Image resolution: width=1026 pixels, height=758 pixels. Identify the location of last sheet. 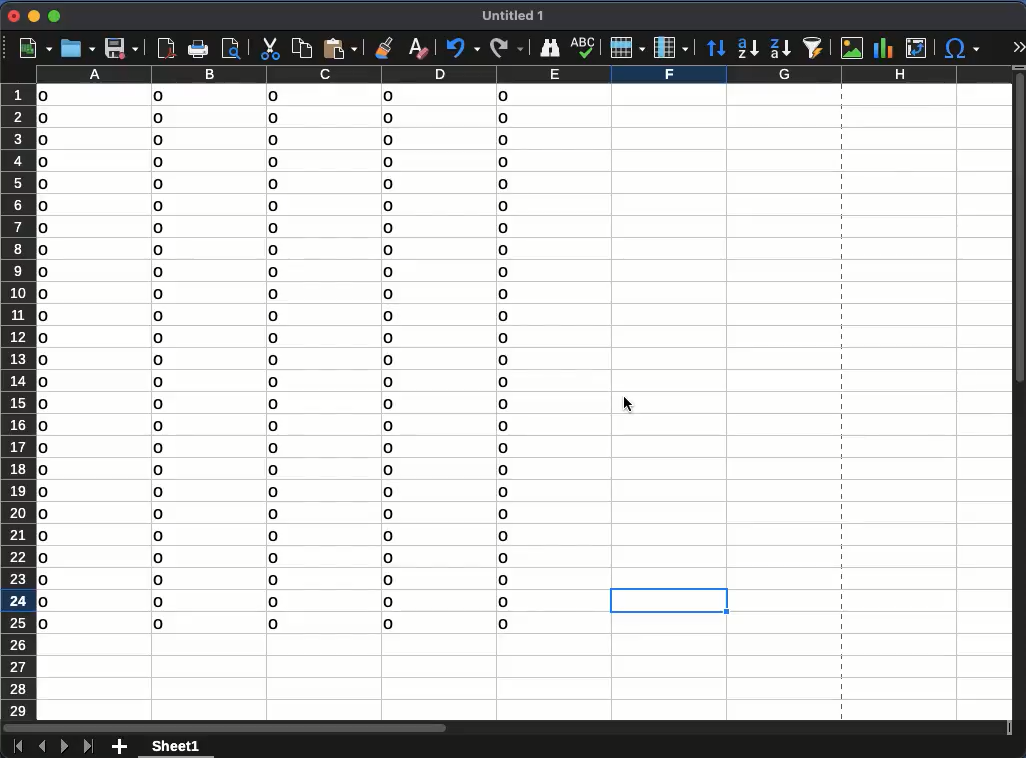
(88, 745).